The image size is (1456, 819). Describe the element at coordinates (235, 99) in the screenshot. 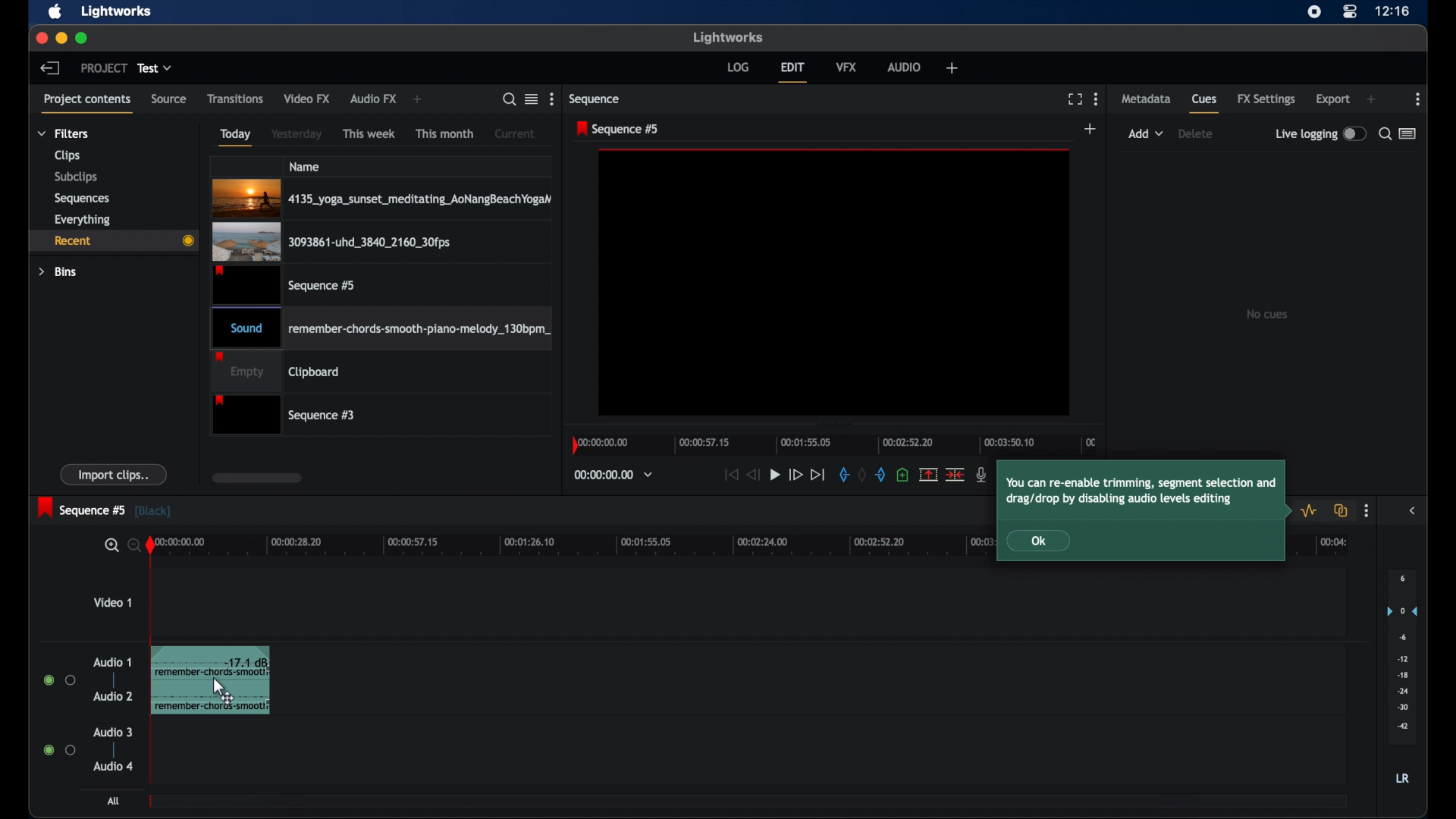

I see `transitions` at that location.